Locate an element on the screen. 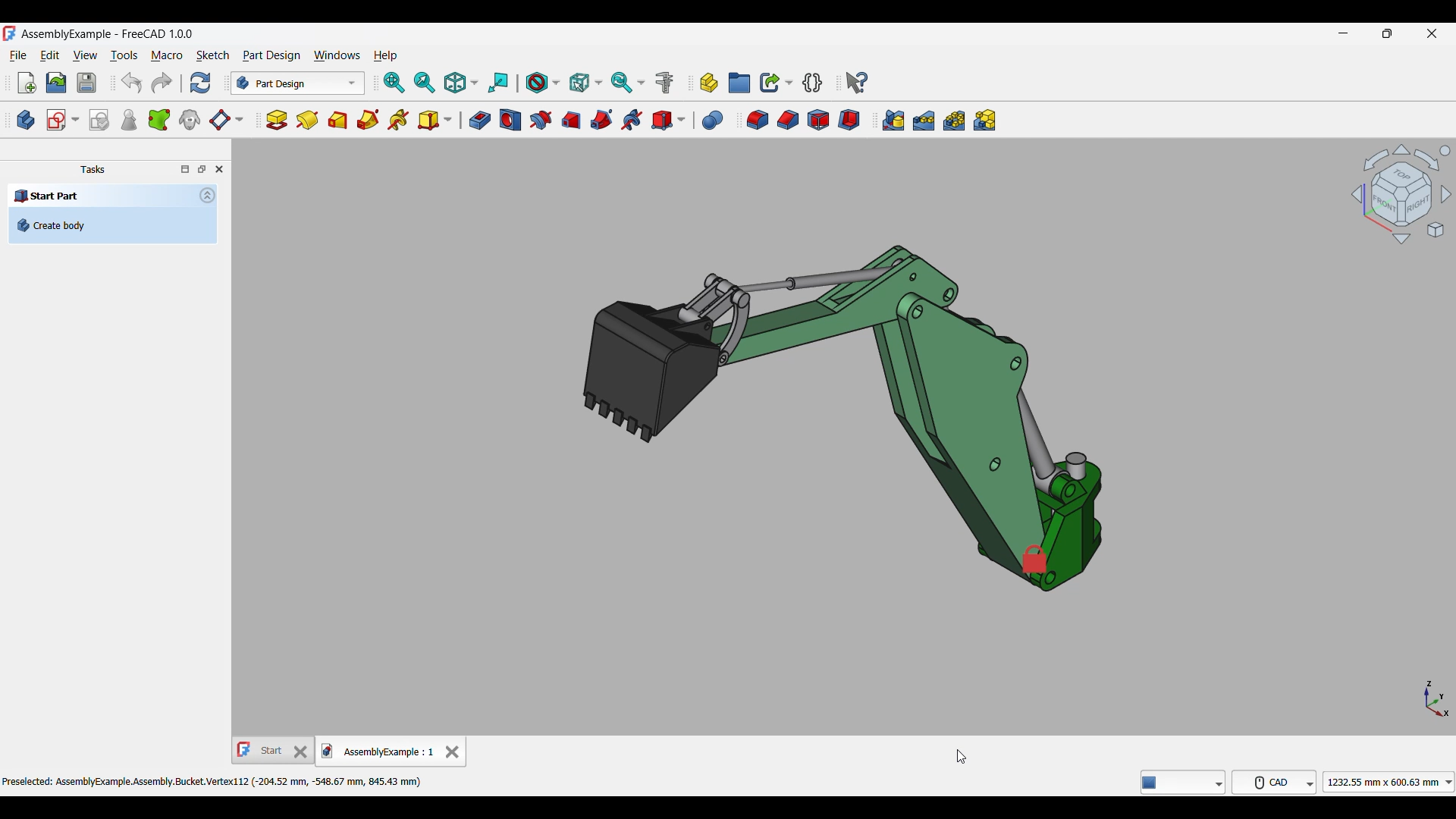 This screenshot has height=819, width=1456. freeCAD tools is located at coordinates (1185, 782).